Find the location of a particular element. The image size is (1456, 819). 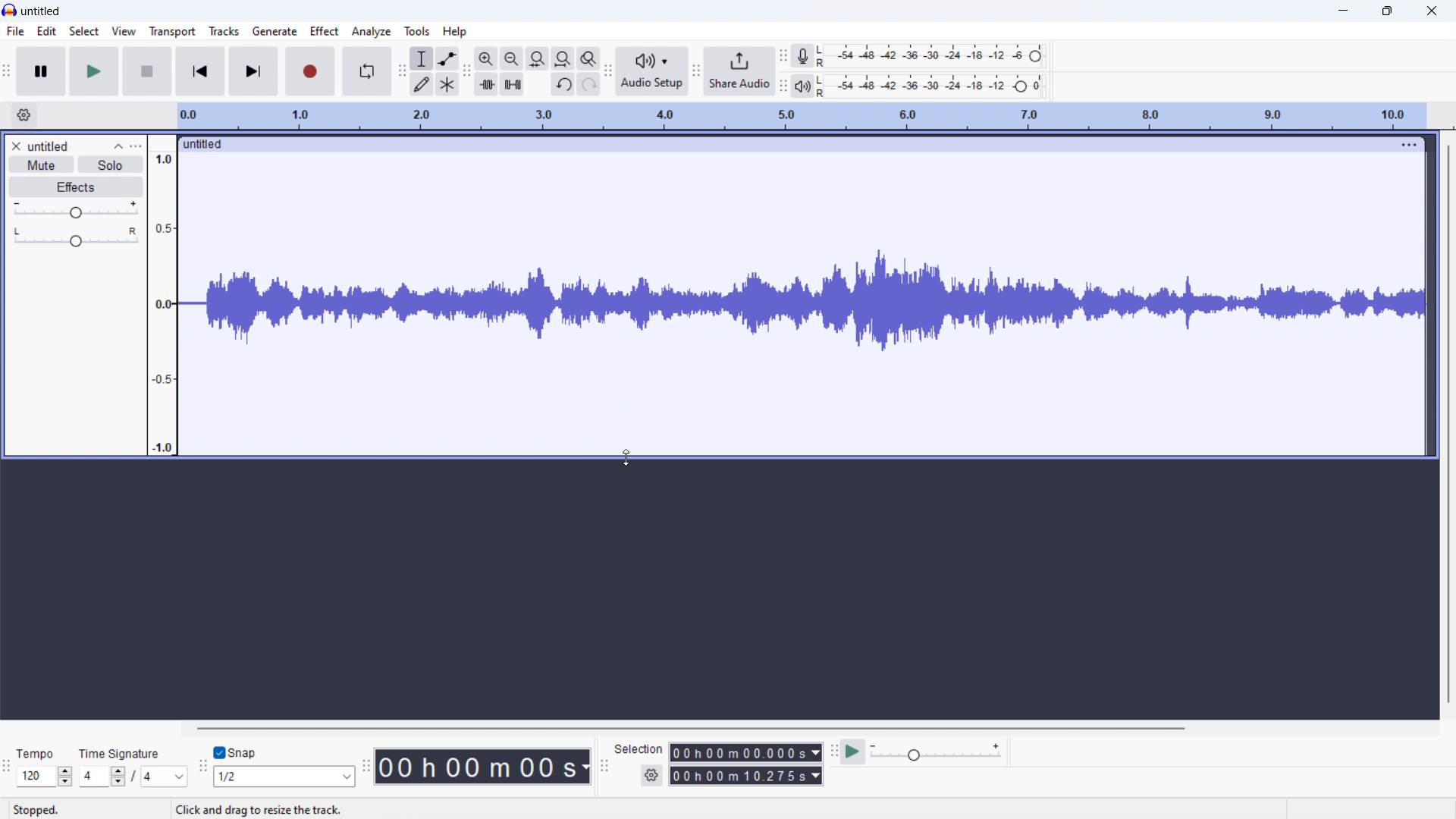

recording level is located at coordinates (934, 56).